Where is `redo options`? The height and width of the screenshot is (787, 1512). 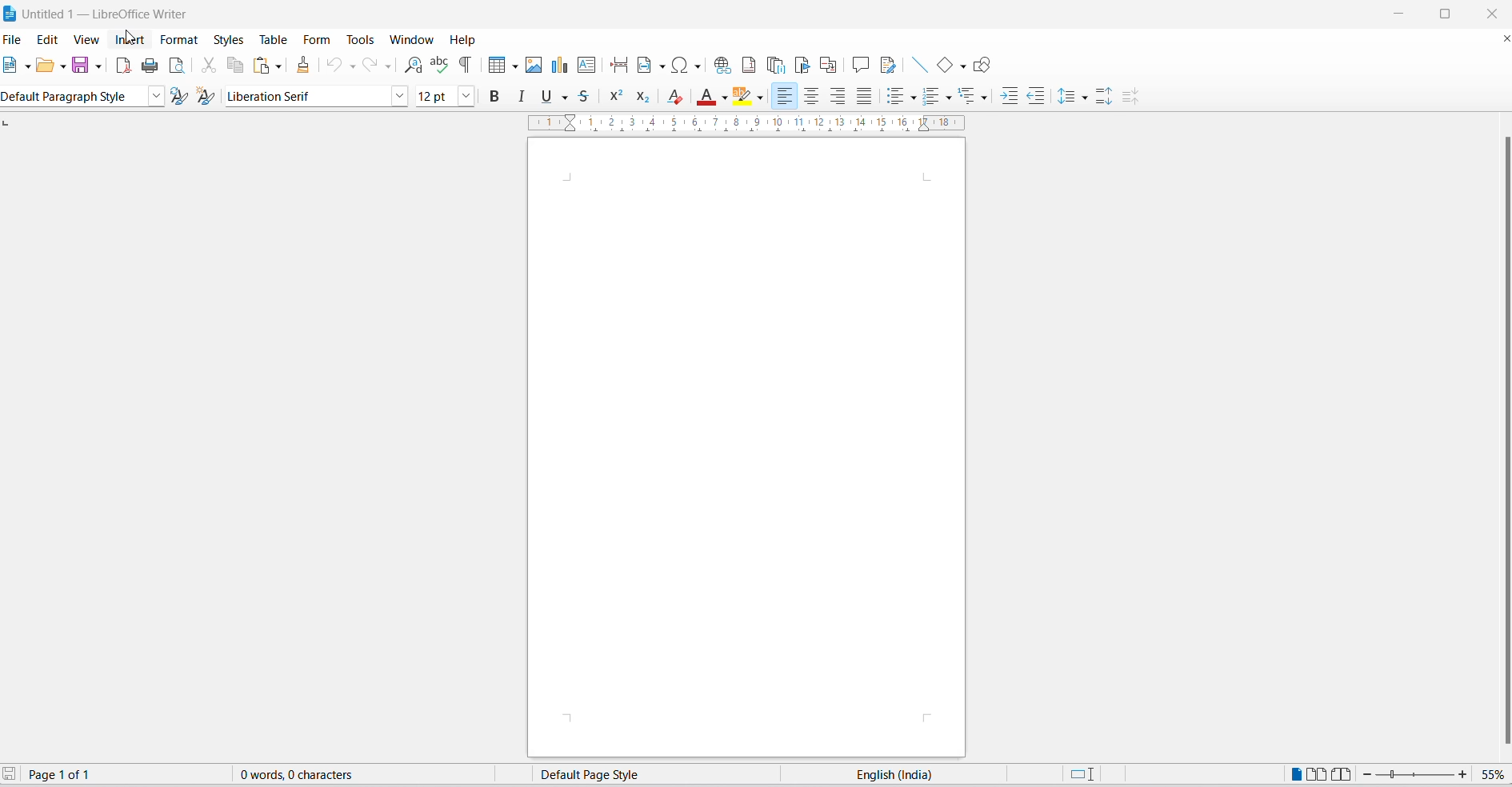 redo options is located at coordinates (388, 66).